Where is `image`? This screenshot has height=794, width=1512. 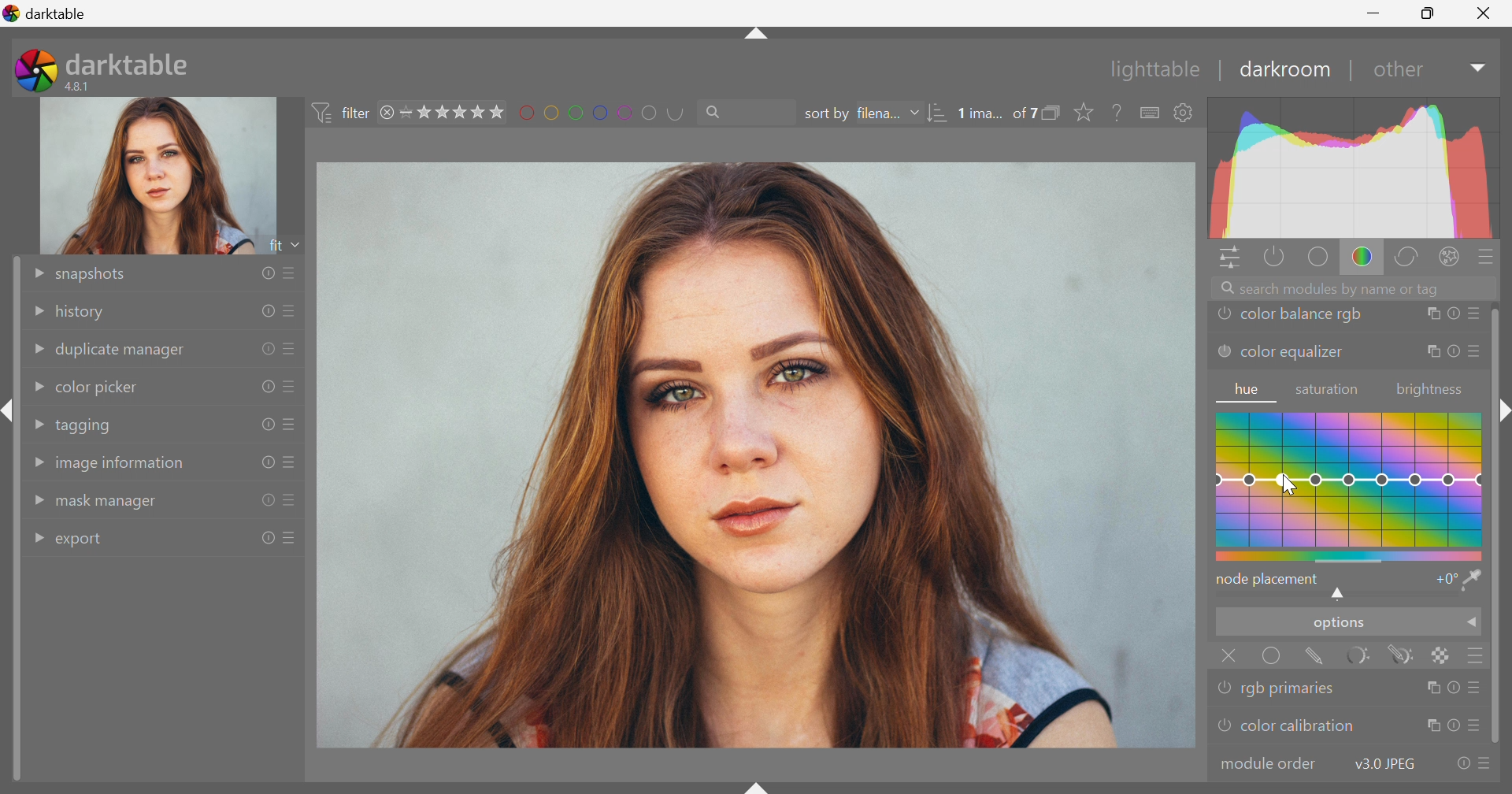 image is located at coordinates (160, 176).